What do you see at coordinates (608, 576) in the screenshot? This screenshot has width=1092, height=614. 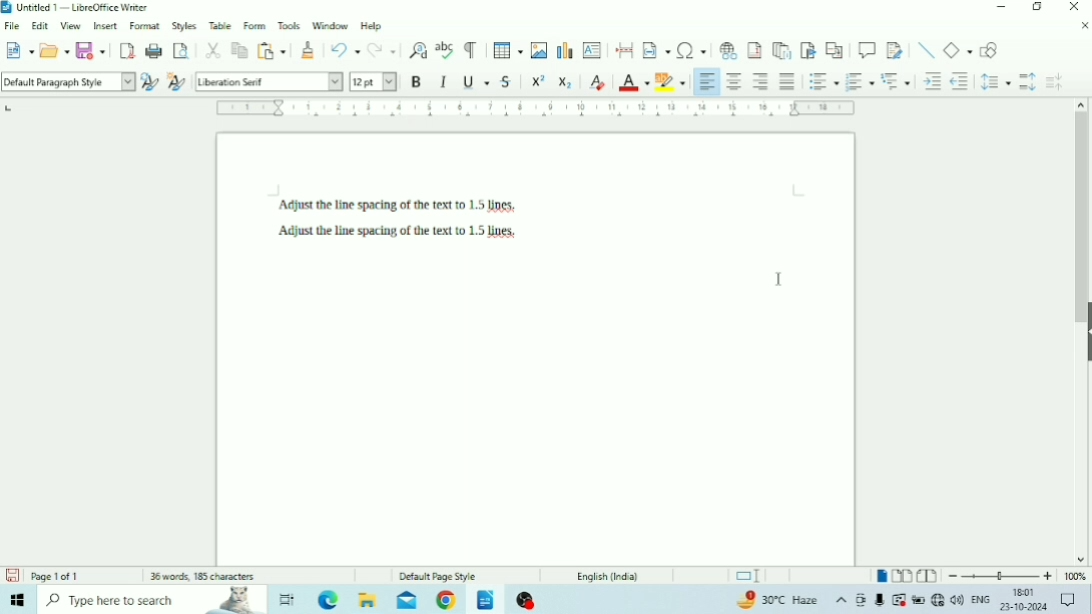 I see `Language` at bounding box center [608, 576].